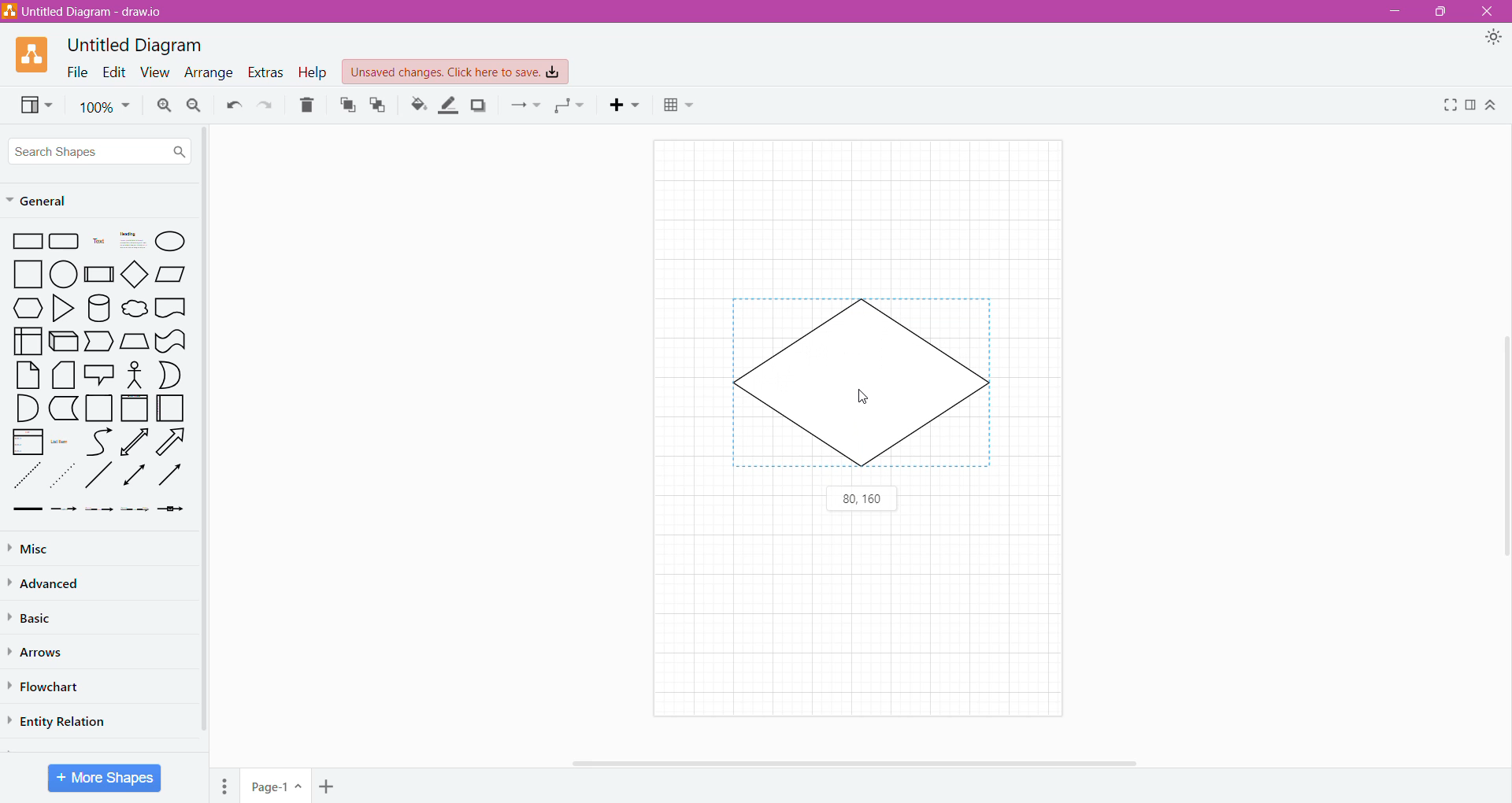  Describe the element at coordinates (105, 778) in the screenshot. I see `More Shapes` at that location.